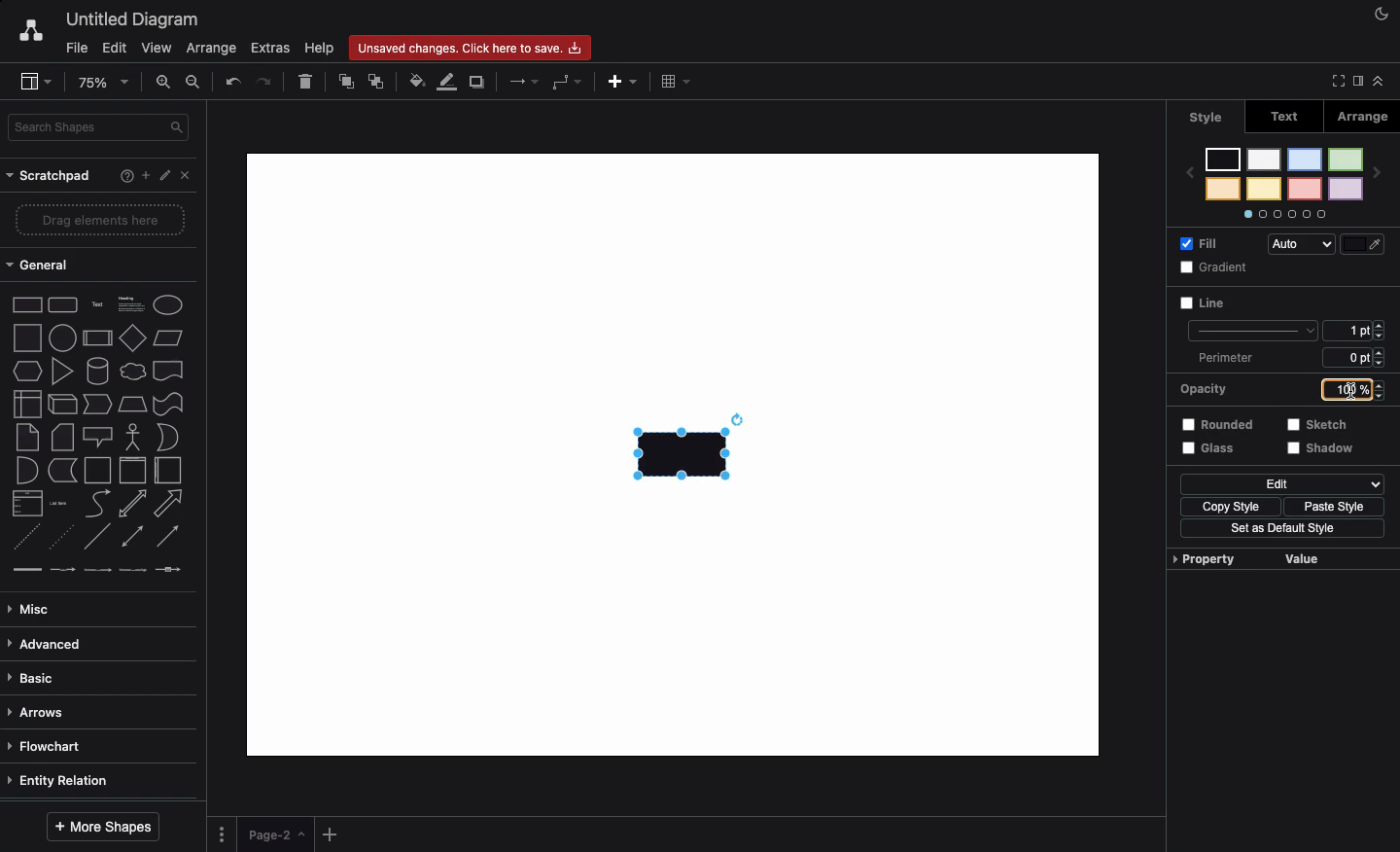  I want to click on Search in shapes, so click(102, 126).